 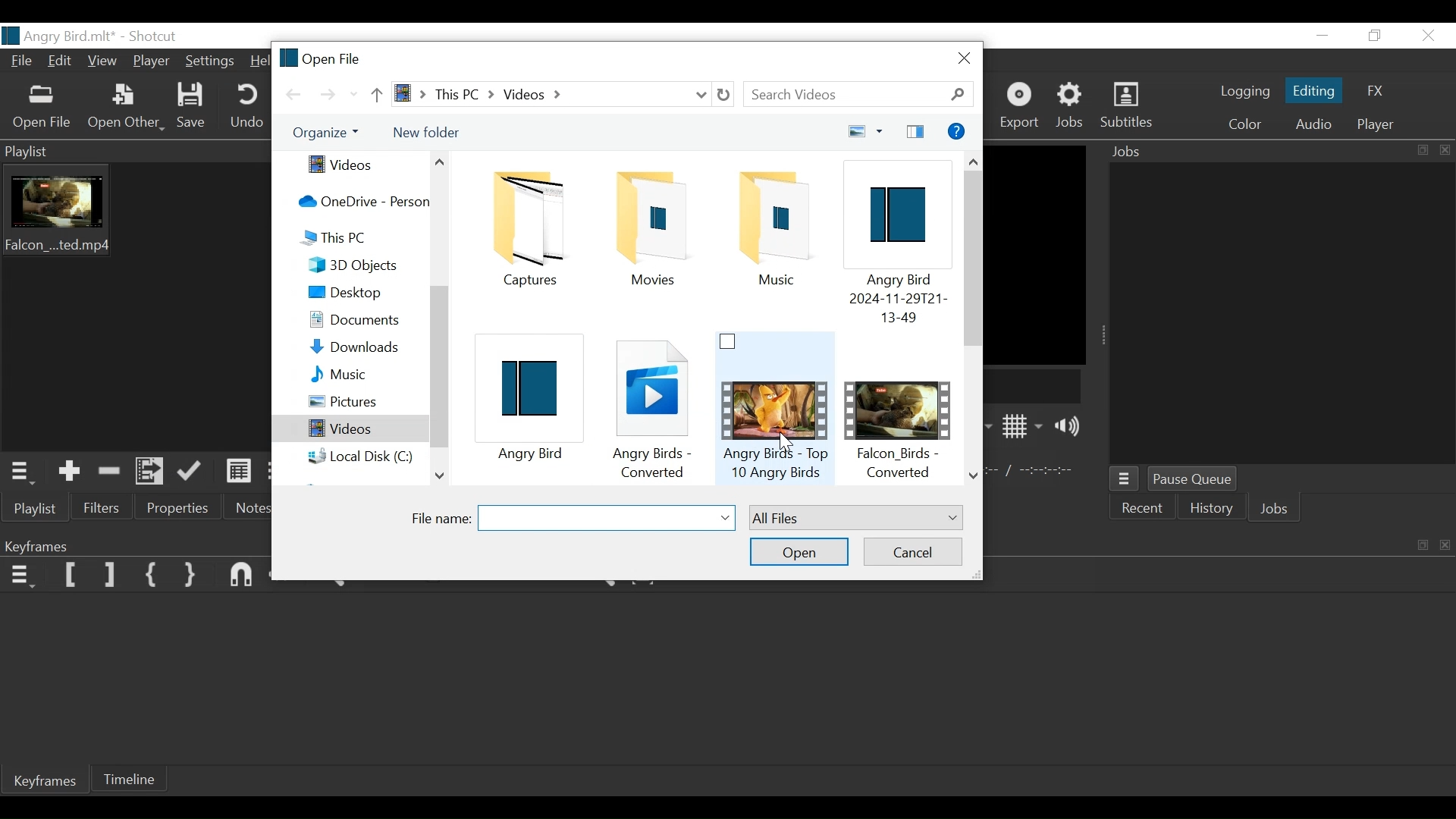 What do you see at coordinates (442, 517) in the screenshot?
I see `File Name` at bounding box center [442, 517].